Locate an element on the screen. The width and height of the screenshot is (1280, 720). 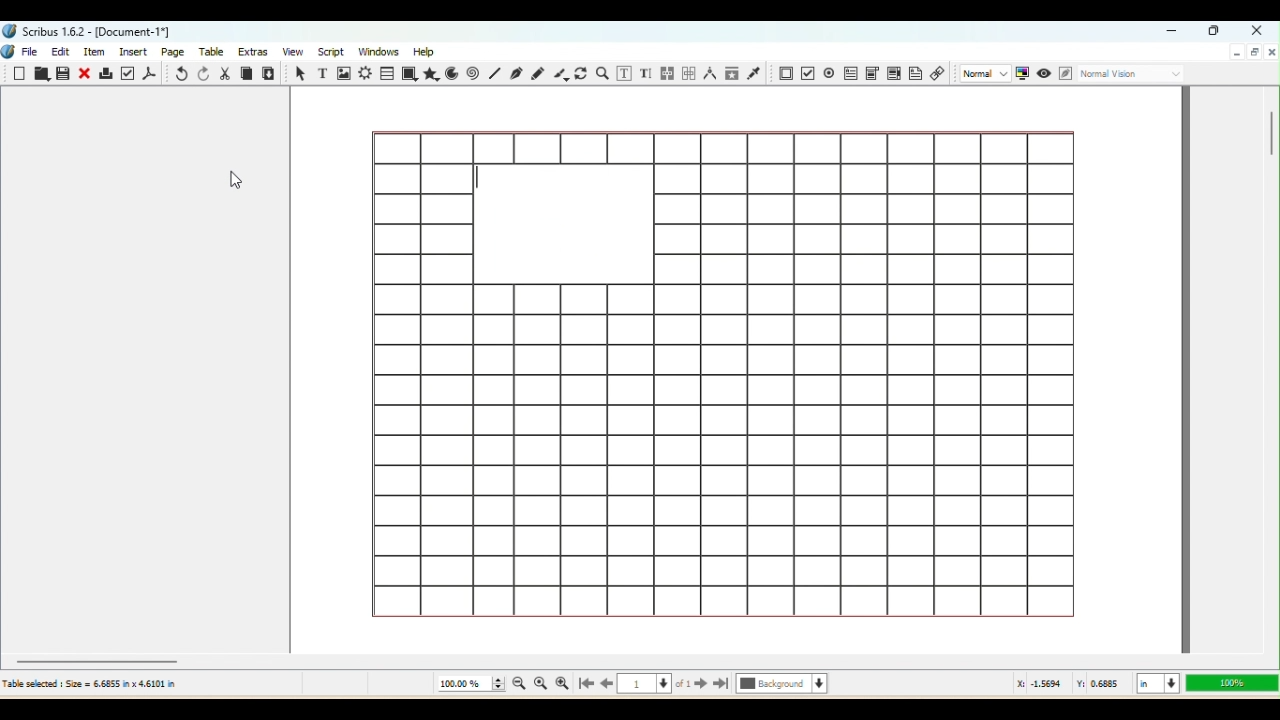
Spiral is located at coordinates (475, 74).